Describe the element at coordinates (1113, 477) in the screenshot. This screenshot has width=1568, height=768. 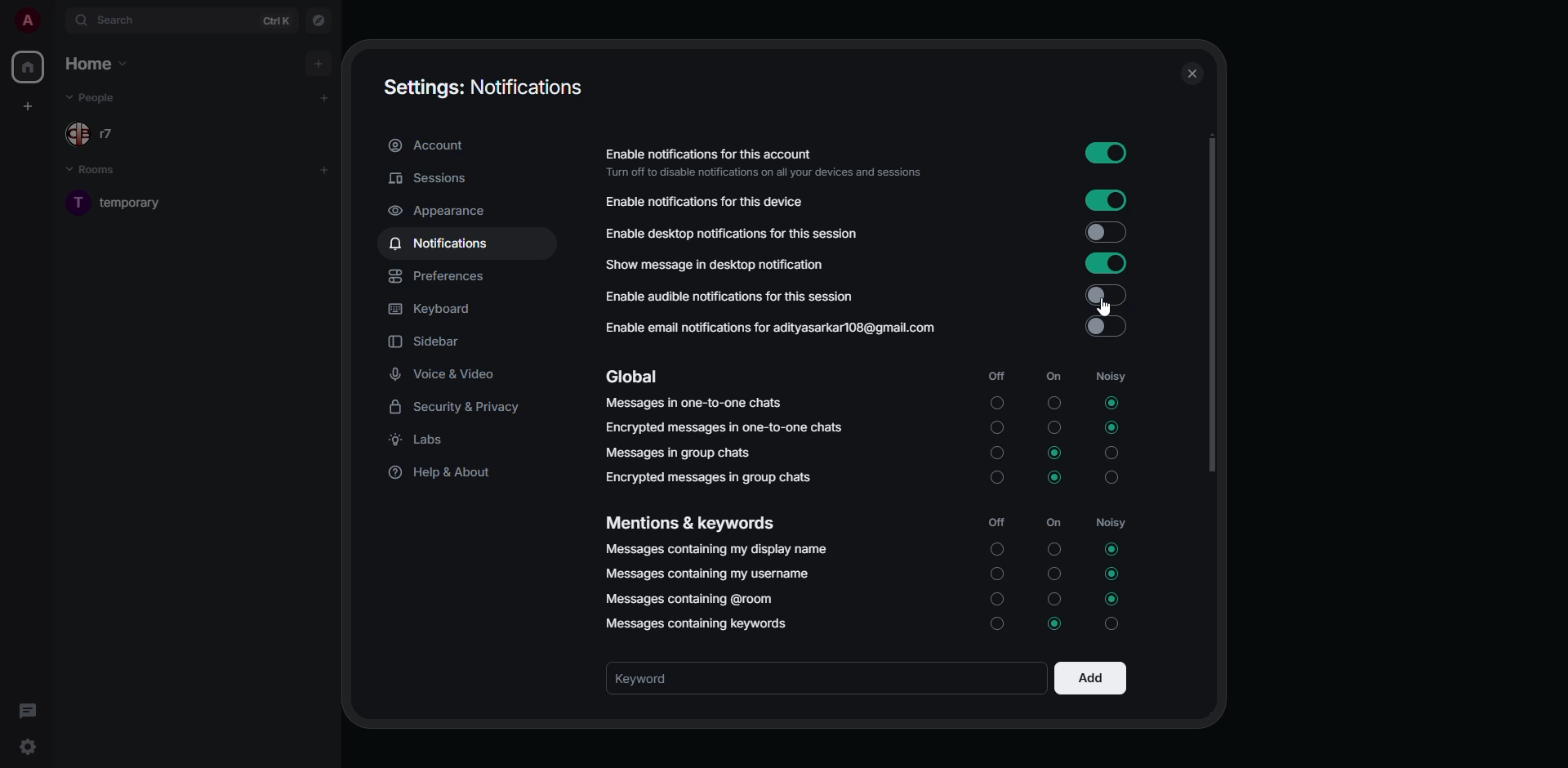
I see `Noisy Unselected` at that location.